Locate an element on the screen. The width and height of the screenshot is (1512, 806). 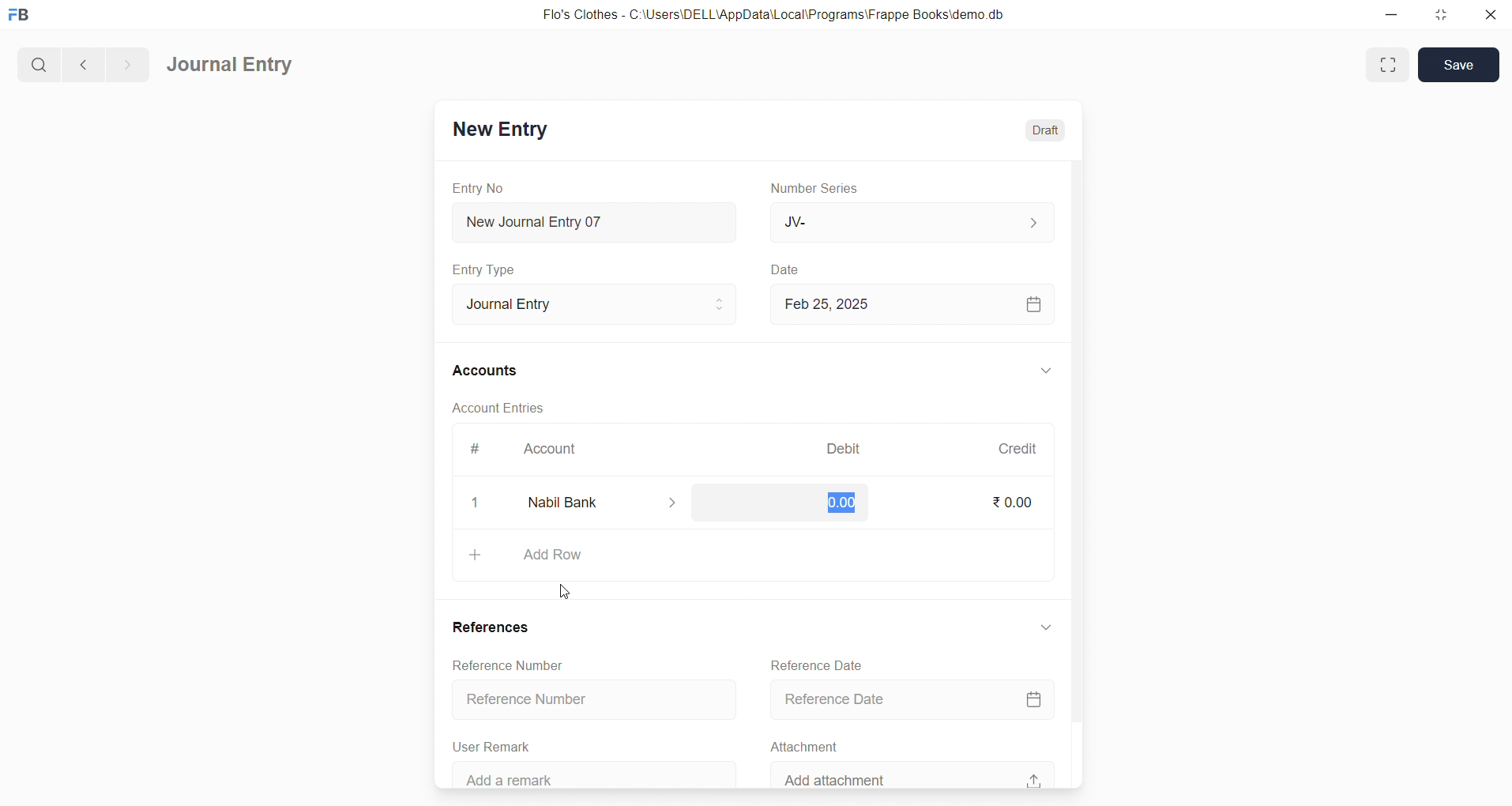
Attachment is located at coordinates (805, 745).